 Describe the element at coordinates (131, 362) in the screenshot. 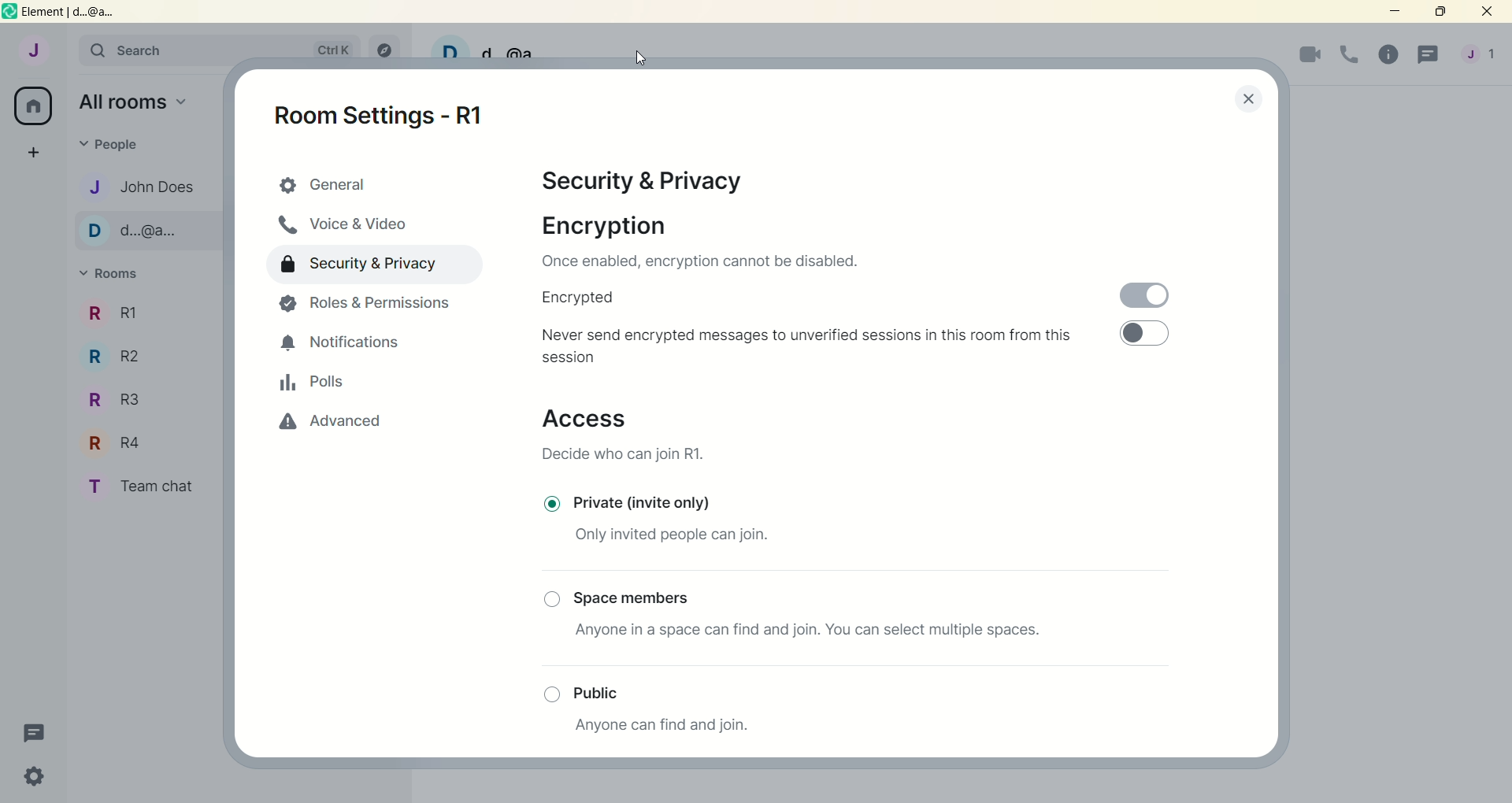

I see `R R2` at that location.